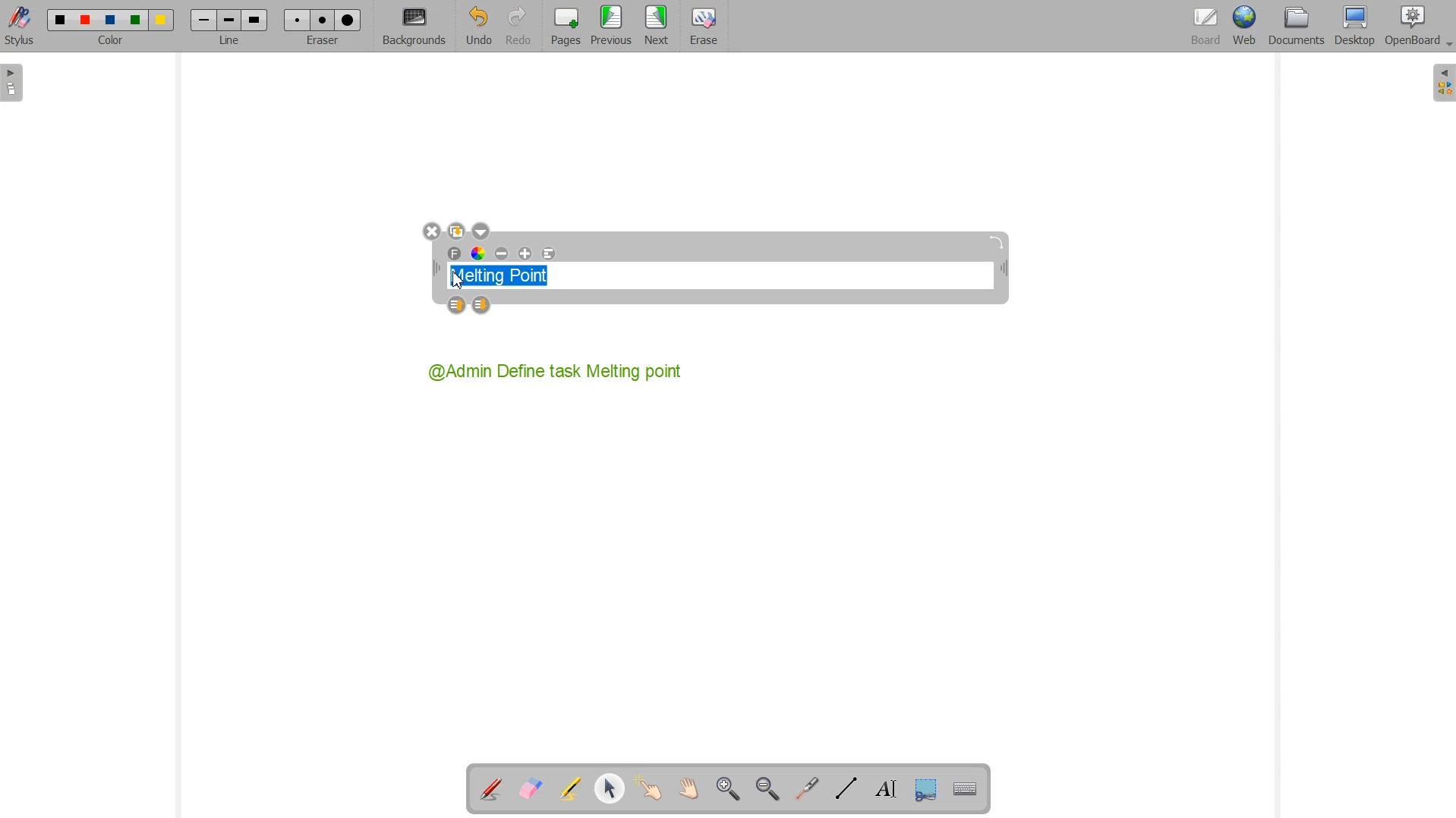 This screenshot has width=1456, height=818. Describe the element at coordinates (846, 788) in the screenshot. I see `Draw lines` at that location.